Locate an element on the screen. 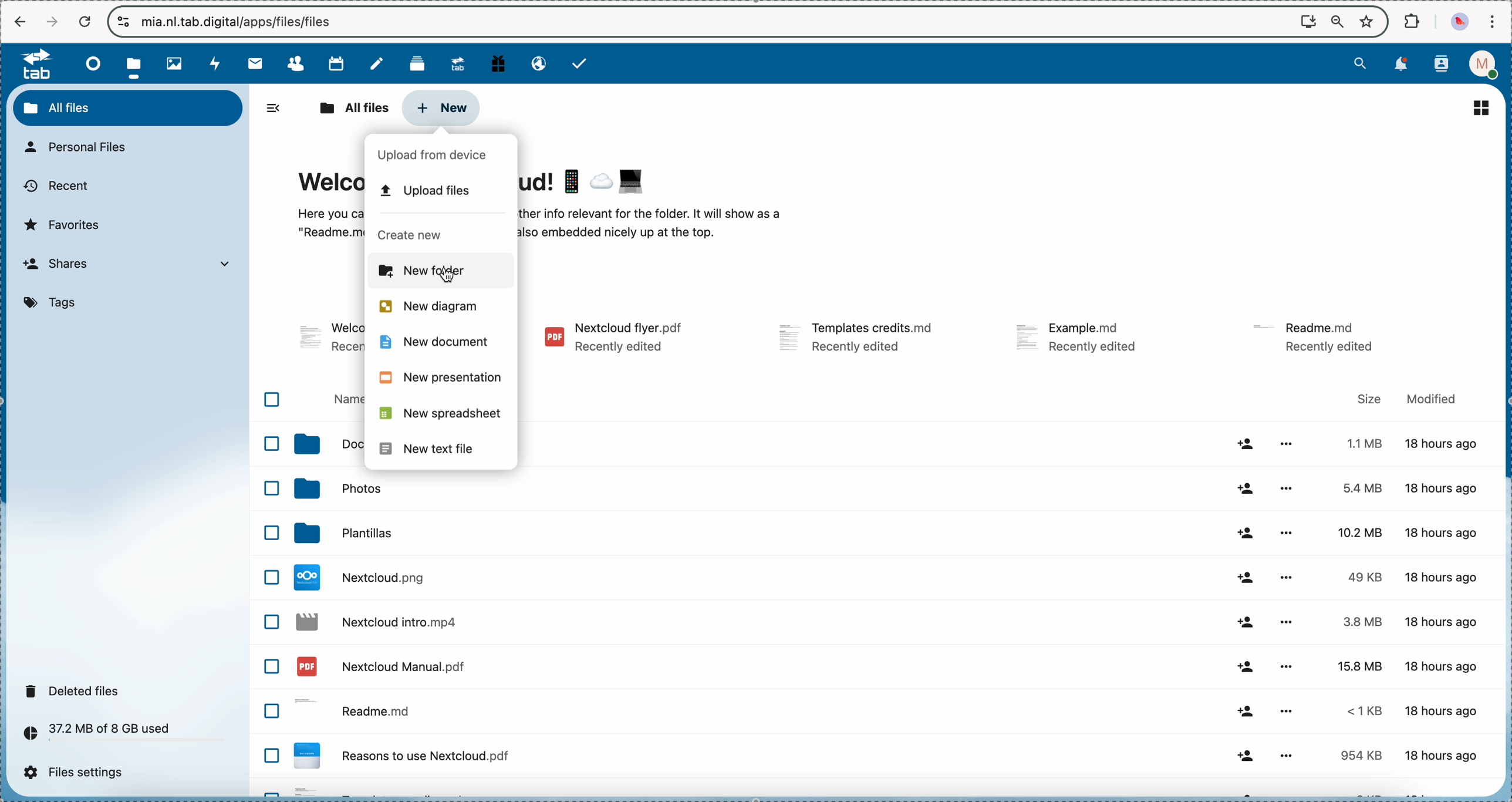 This screenshot has width=1512, height=802. file is located at coordinates (613, 340).